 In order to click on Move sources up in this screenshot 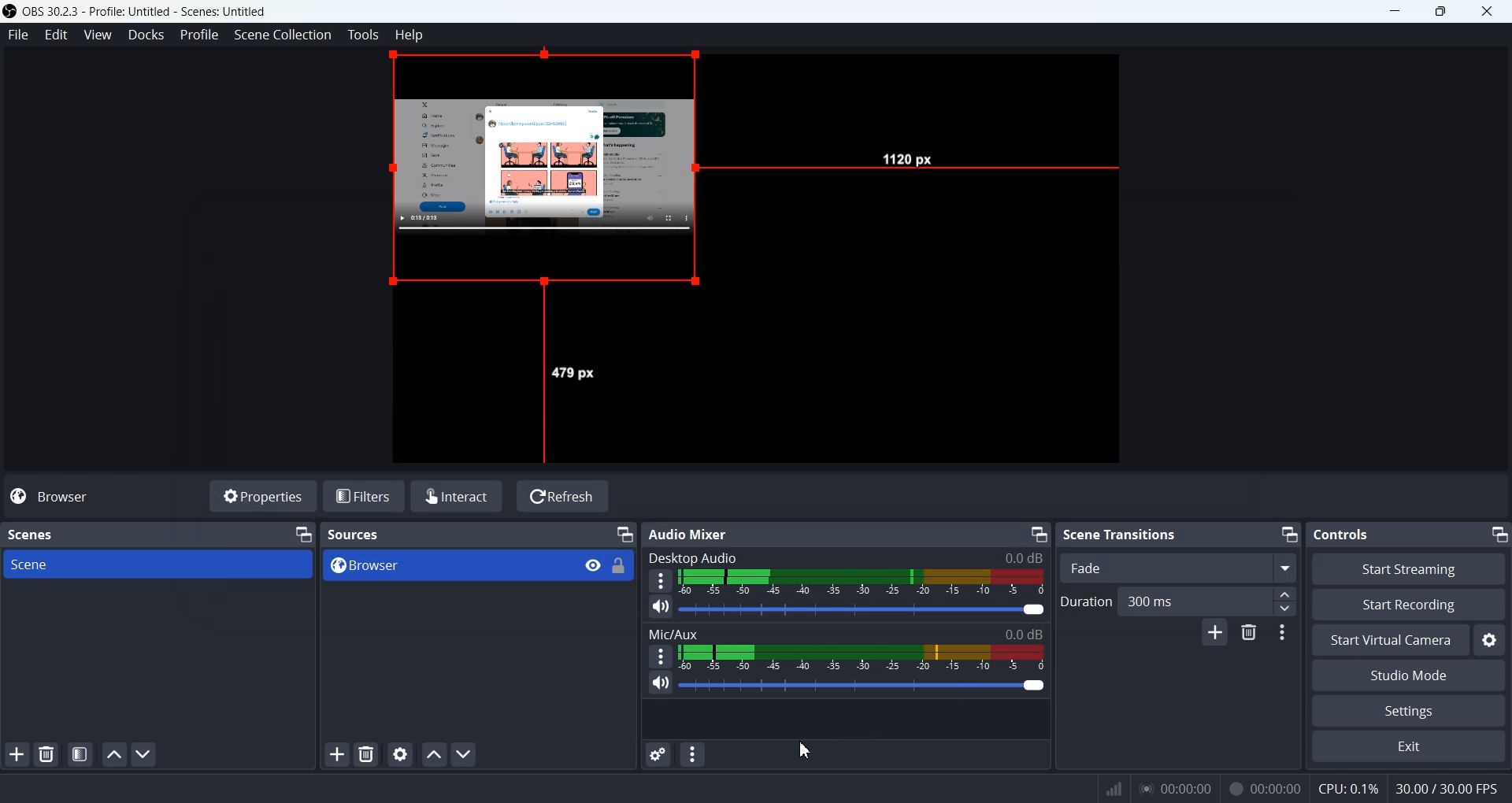, I will do `click(434, 754)`.